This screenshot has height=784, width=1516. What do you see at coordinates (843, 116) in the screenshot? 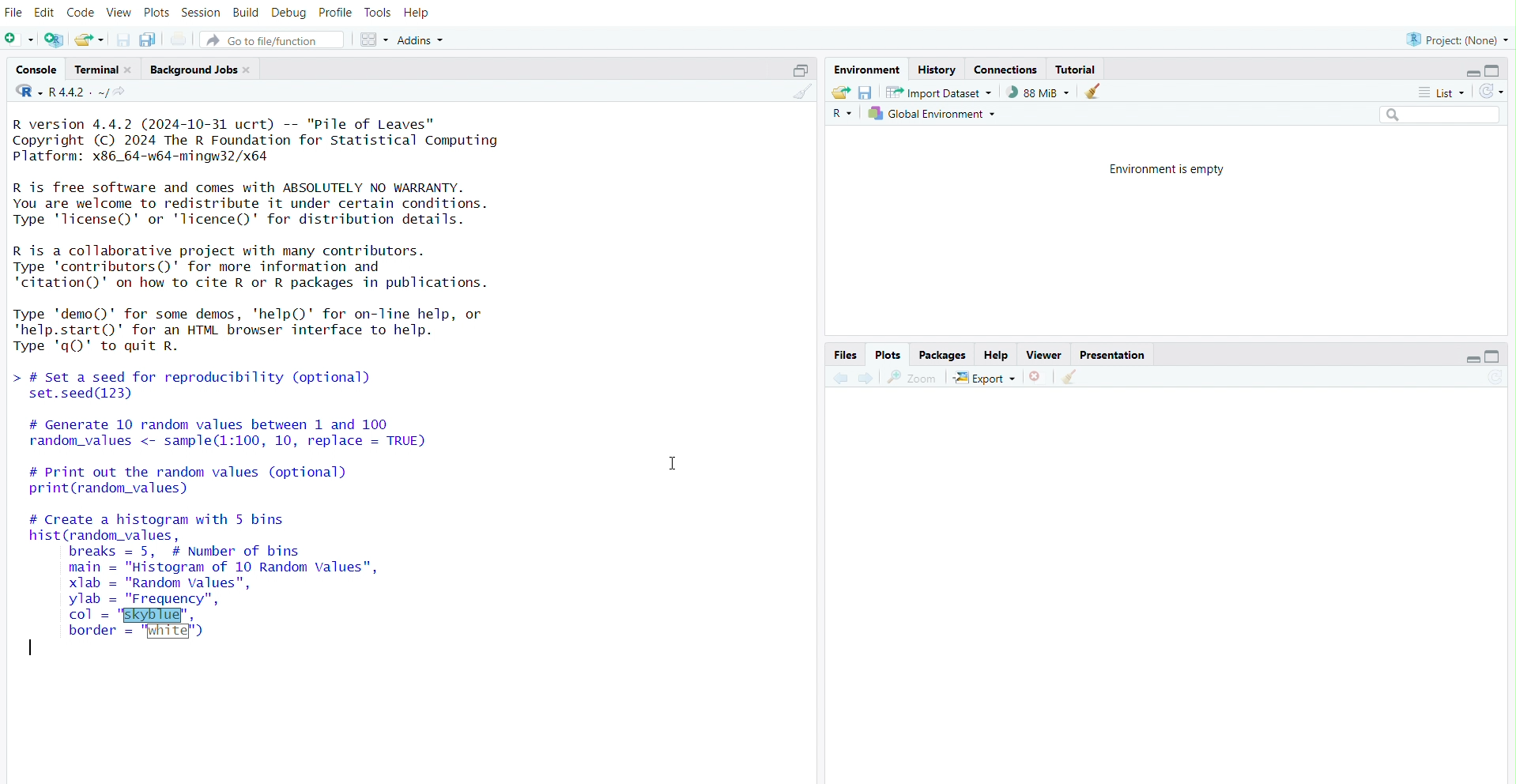
I see `language select` at bounding box center [843, 116].